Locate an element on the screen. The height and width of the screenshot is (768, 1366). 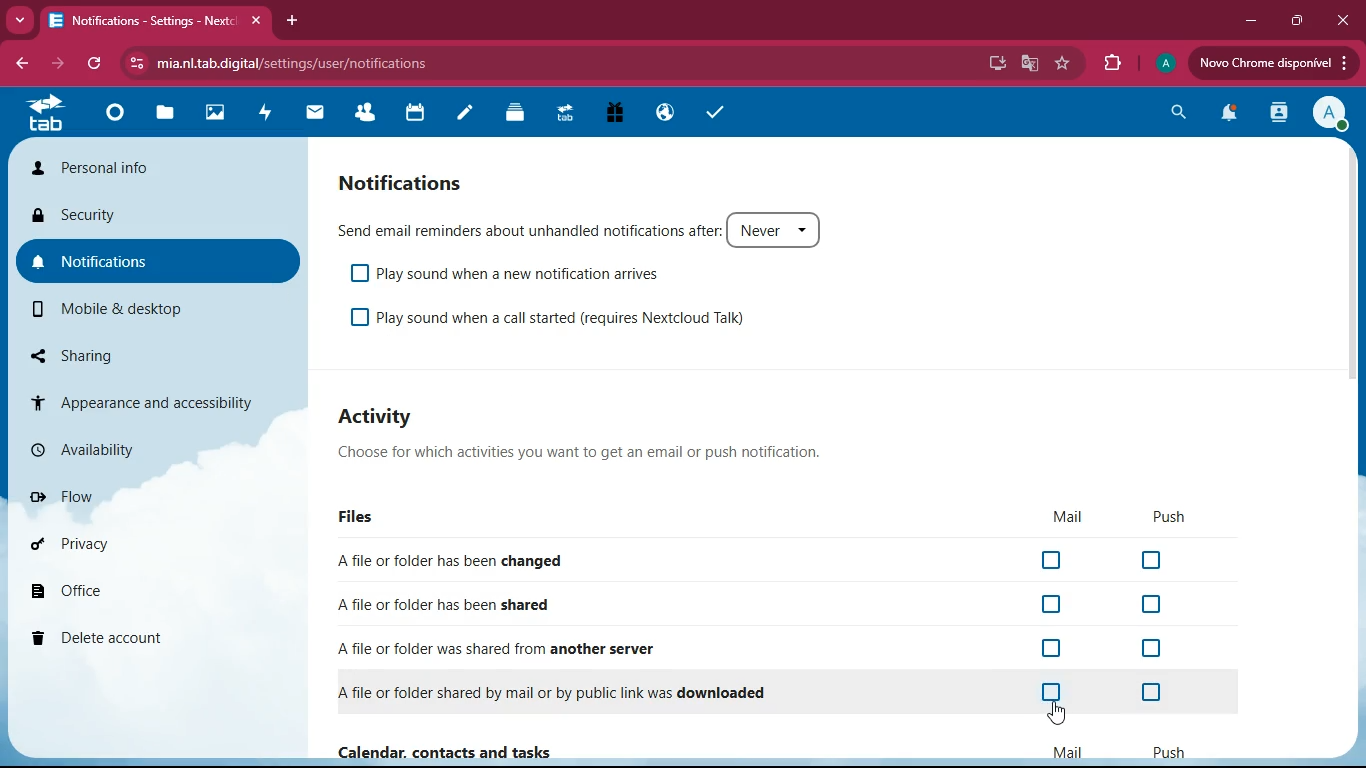
profile is located at coordinates (1161, 64).